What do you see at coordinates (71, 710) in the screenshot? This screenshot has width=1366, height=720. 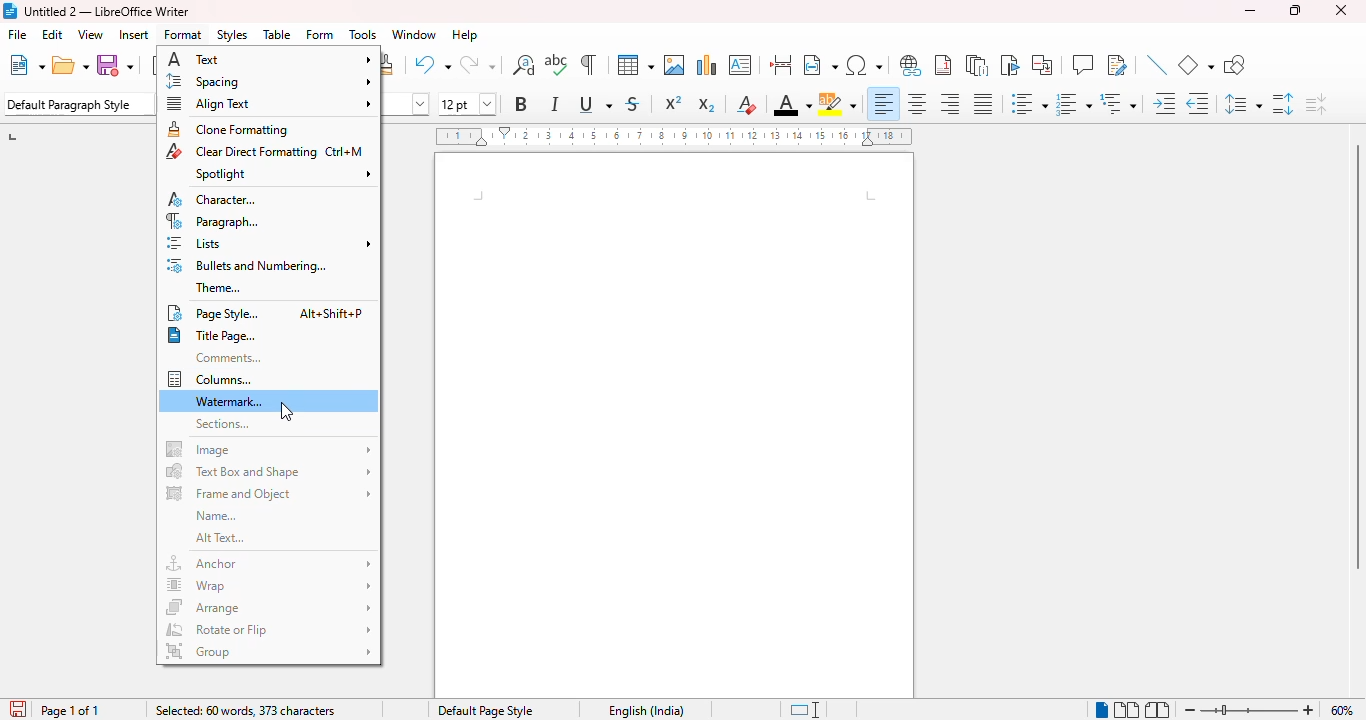 I see `page 1 of 1` at bounding box center [71, 710].